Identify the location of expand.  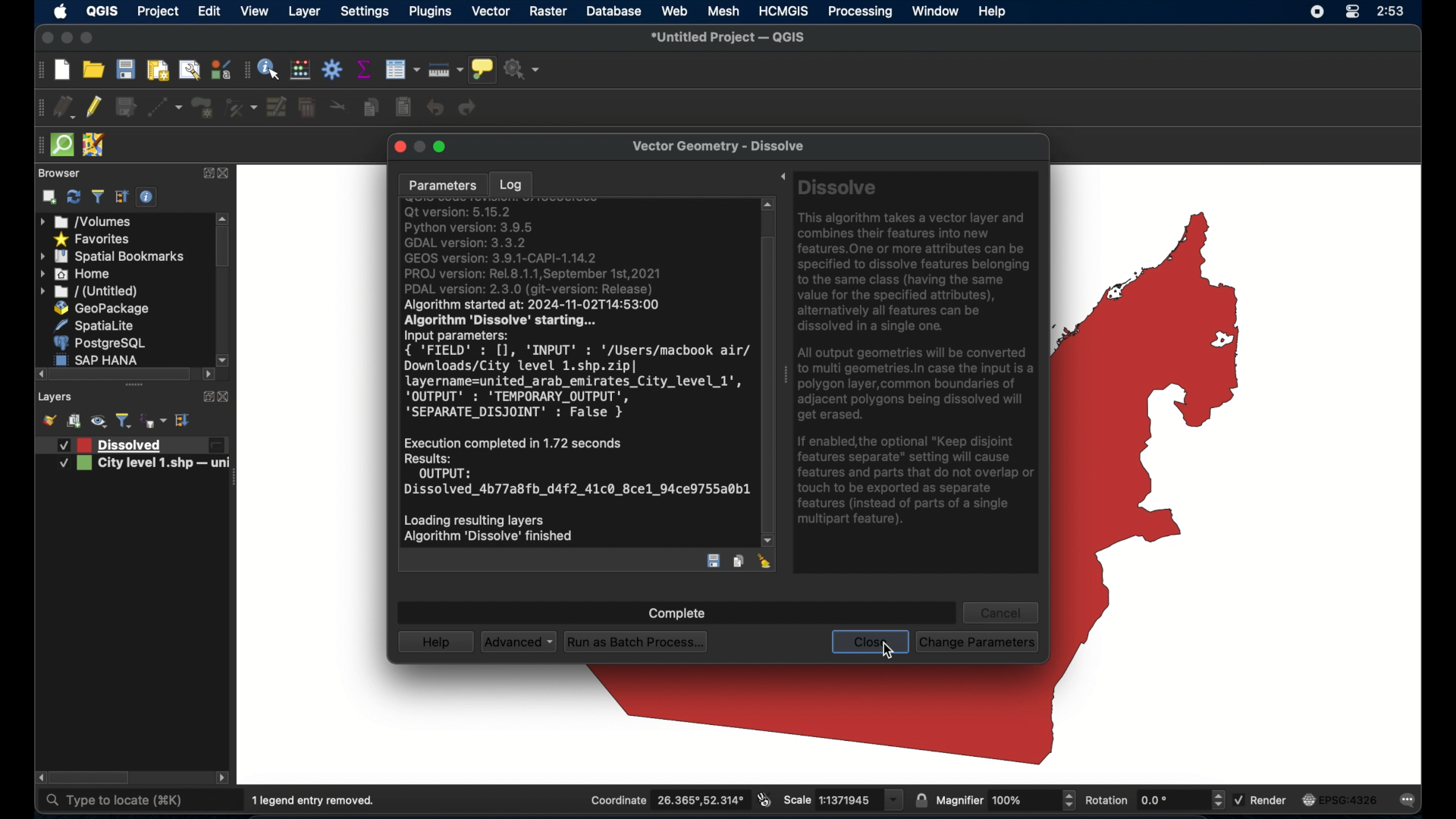
(782, 178).